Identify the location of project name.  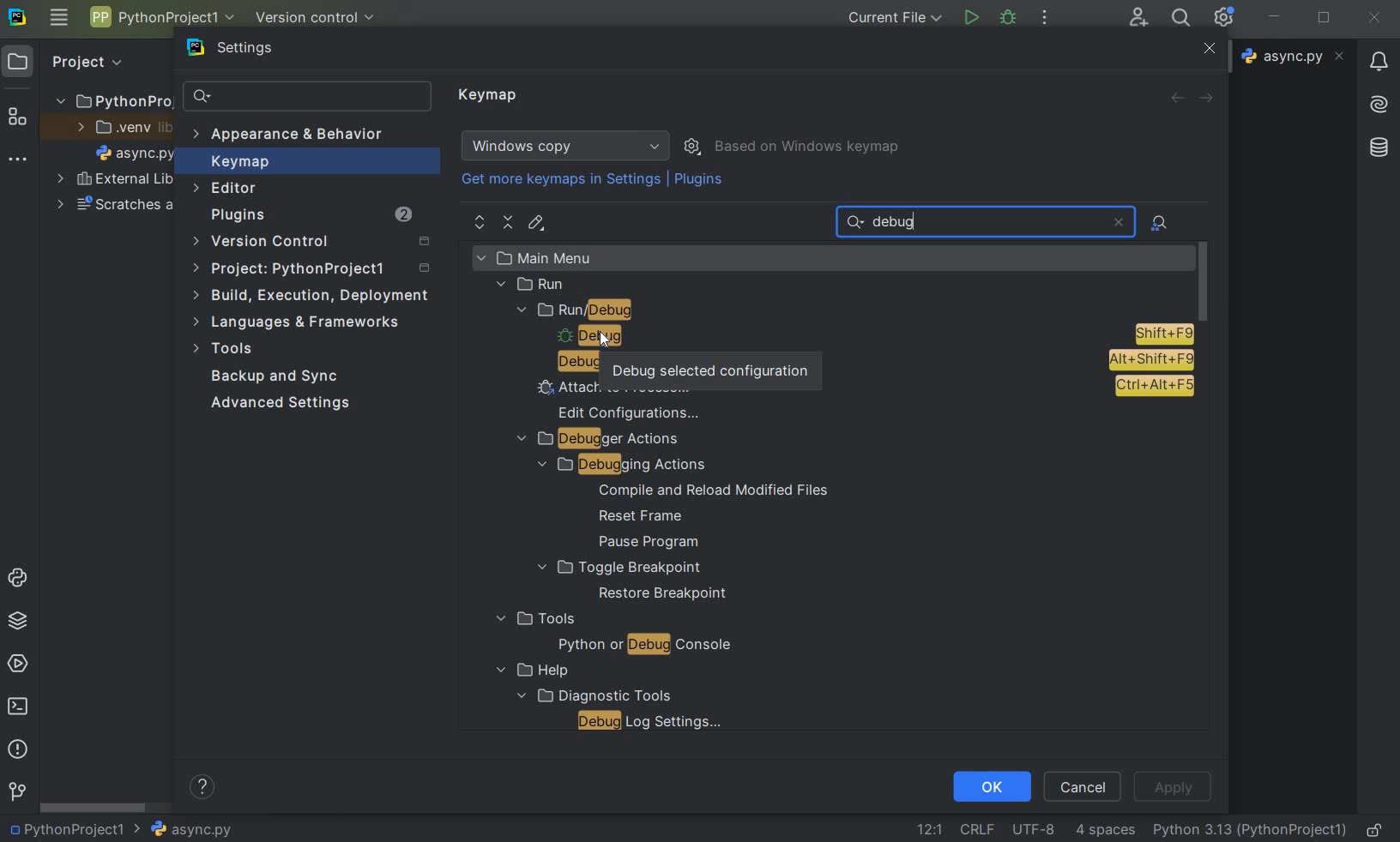
(160, 17).